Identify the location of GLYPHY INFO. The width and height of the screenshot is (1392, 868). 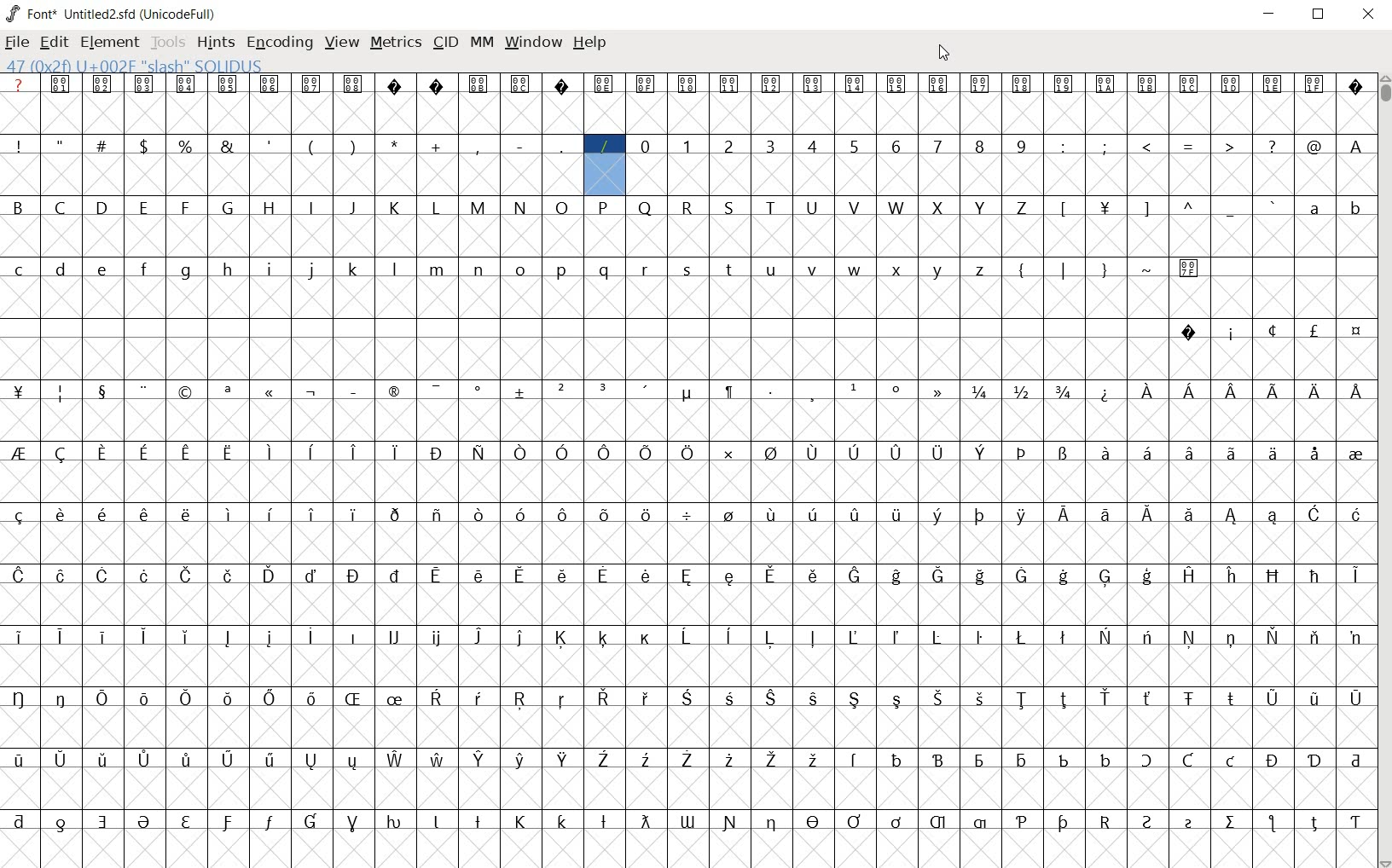
(142, 65).